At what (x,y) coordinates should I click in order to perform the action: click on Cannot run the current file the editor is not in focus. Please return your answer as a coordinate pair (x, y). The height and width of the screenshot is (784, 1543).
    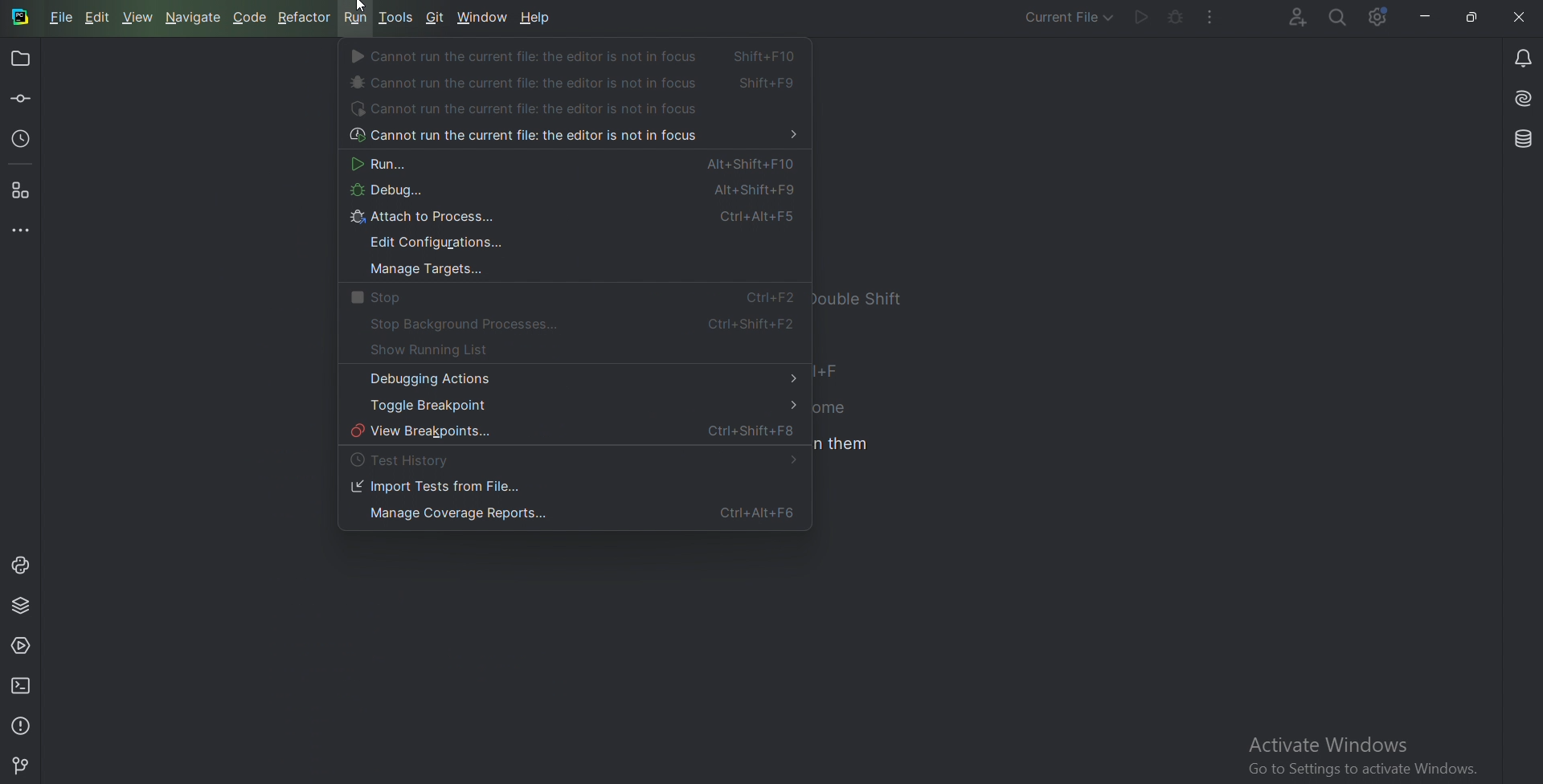
    Looking at the image, I should click on (571, 137).